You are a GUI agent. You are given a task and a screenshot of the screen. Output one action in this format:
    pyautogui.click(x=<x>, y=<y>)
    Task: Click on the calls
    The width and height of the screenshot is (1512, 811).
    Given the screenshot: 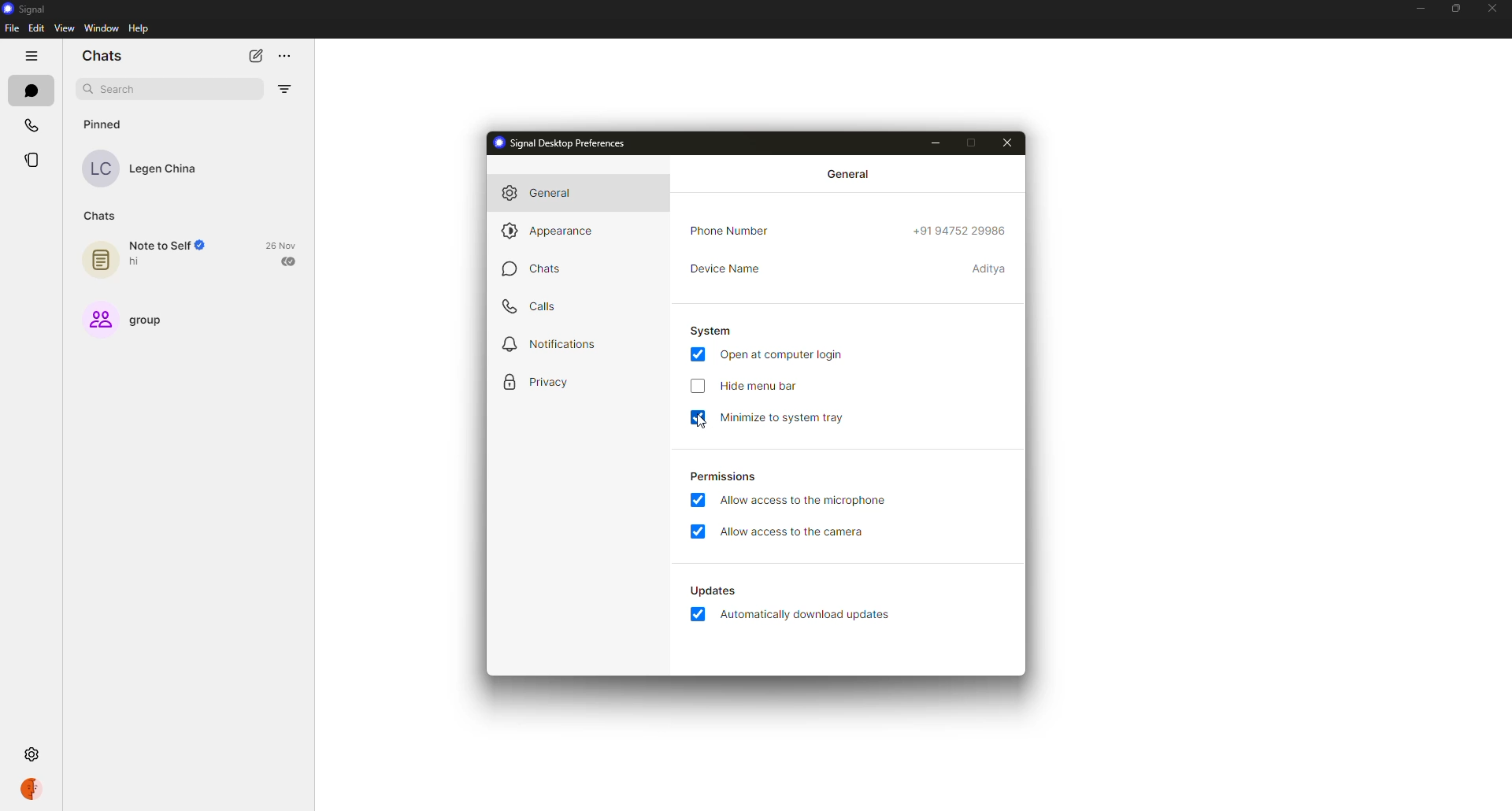 What is the action you would take?
    pyautogui.click(x=28, y=124)
    